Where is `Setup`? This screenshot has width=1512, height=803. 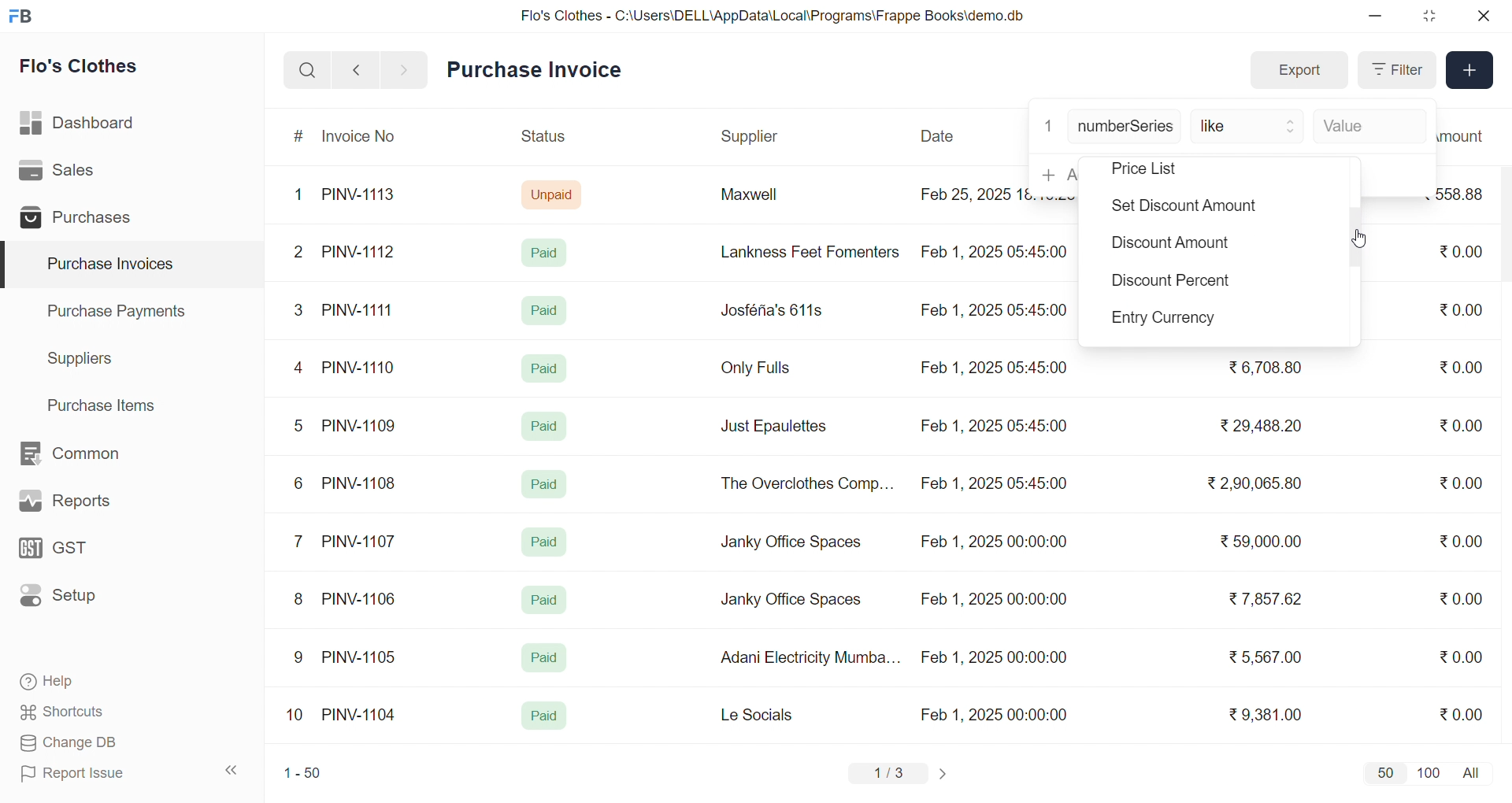
Setup is located at coordinates (82, 601).